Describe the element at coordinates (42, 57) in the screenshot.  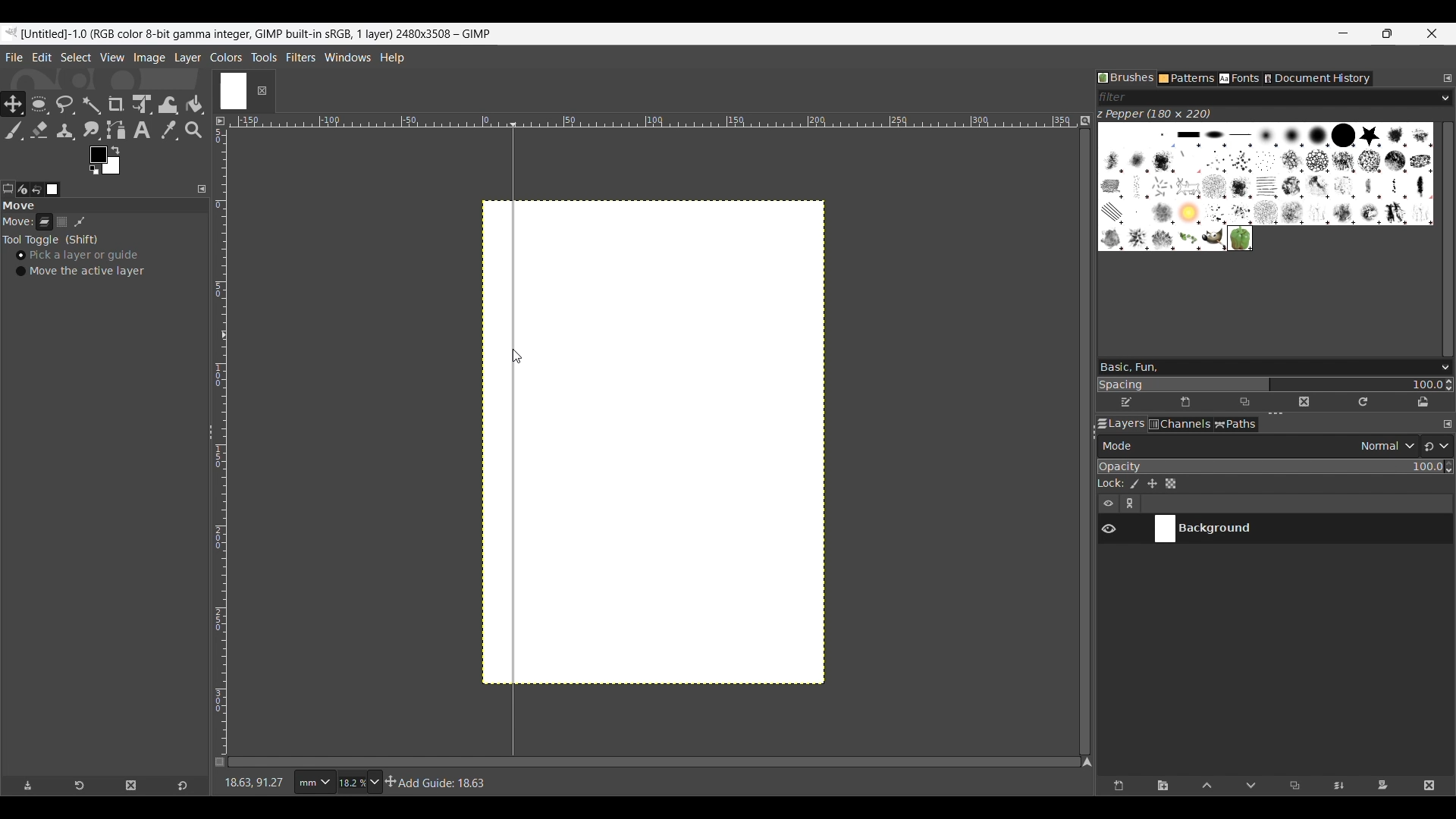
I see `Edit menu` at that location.